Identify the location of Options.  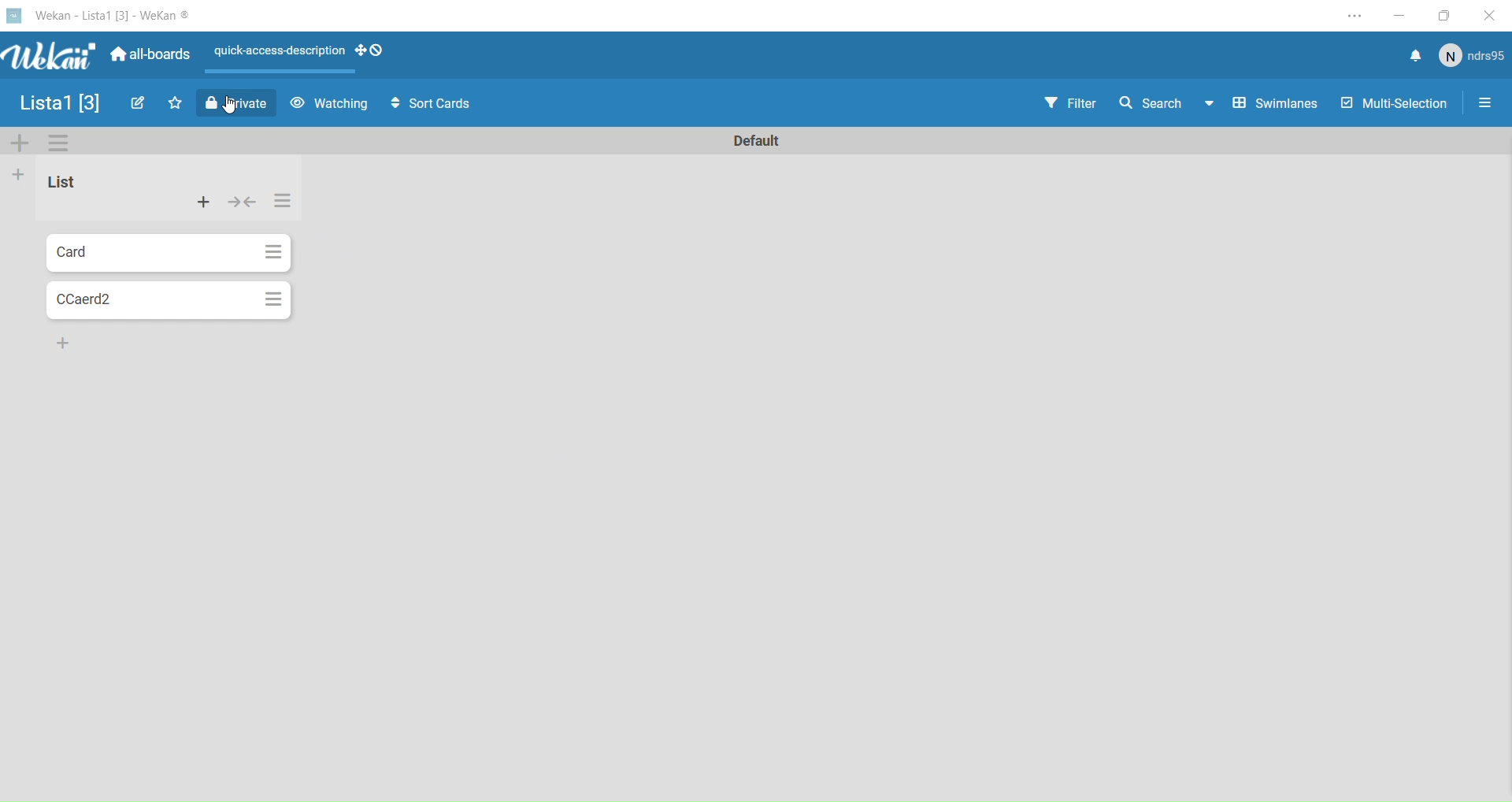
(272, 299).